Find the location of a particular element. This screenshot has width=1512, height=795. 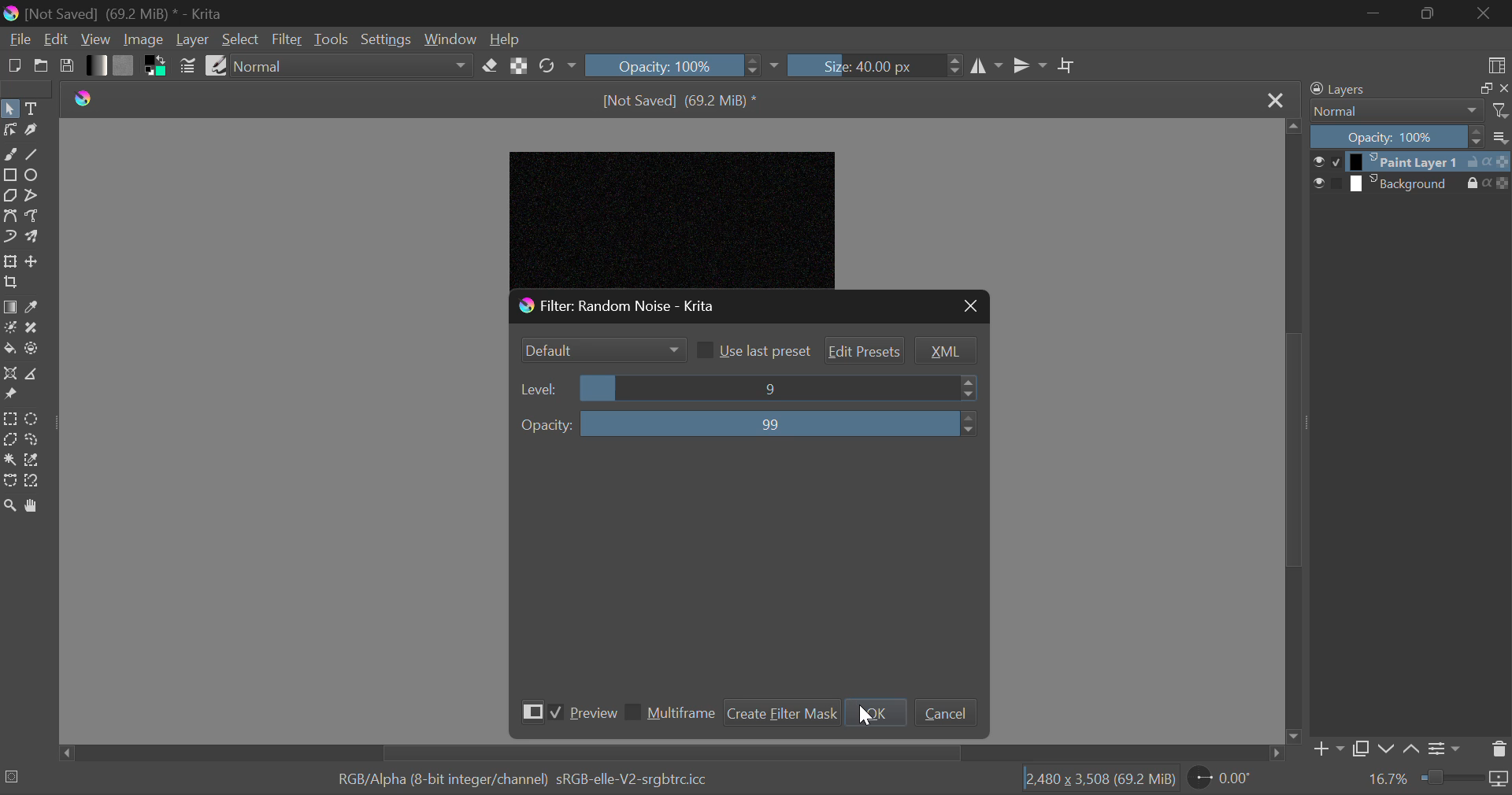

move down is located at coordinates (1293, 736).